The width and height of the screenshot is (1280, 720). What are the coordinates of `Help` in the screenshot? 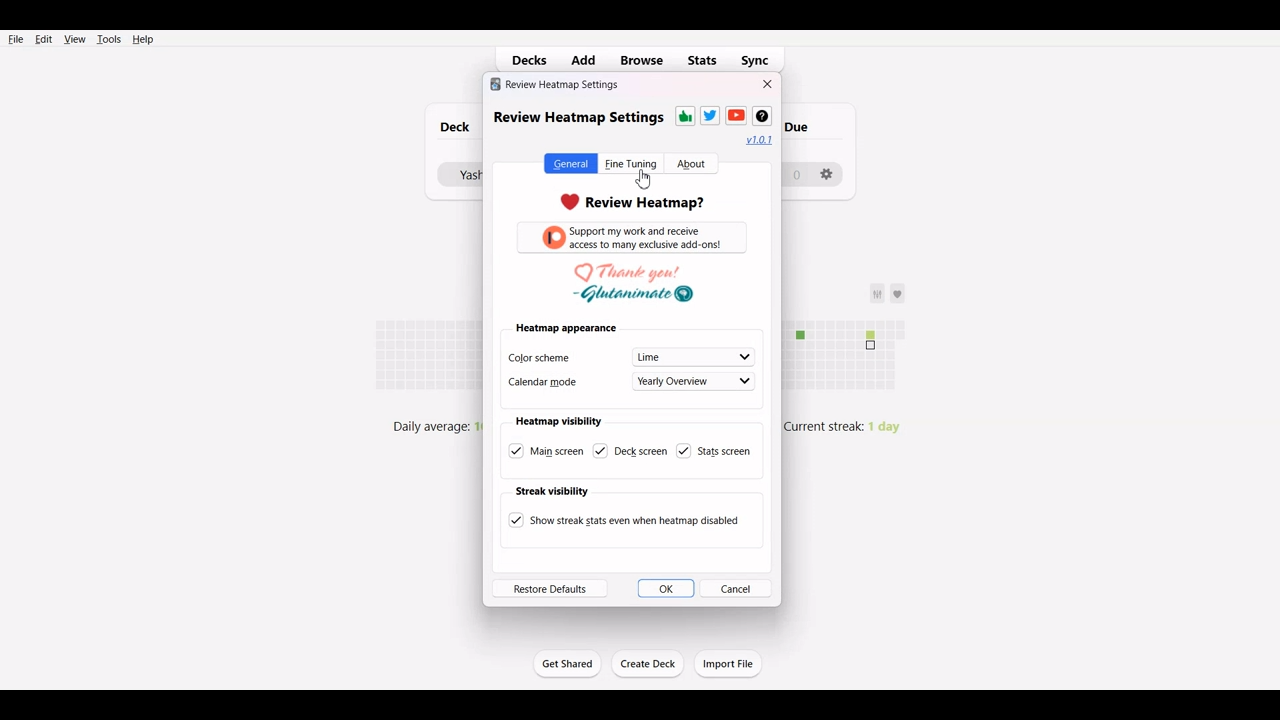 It's located at (142, 39).